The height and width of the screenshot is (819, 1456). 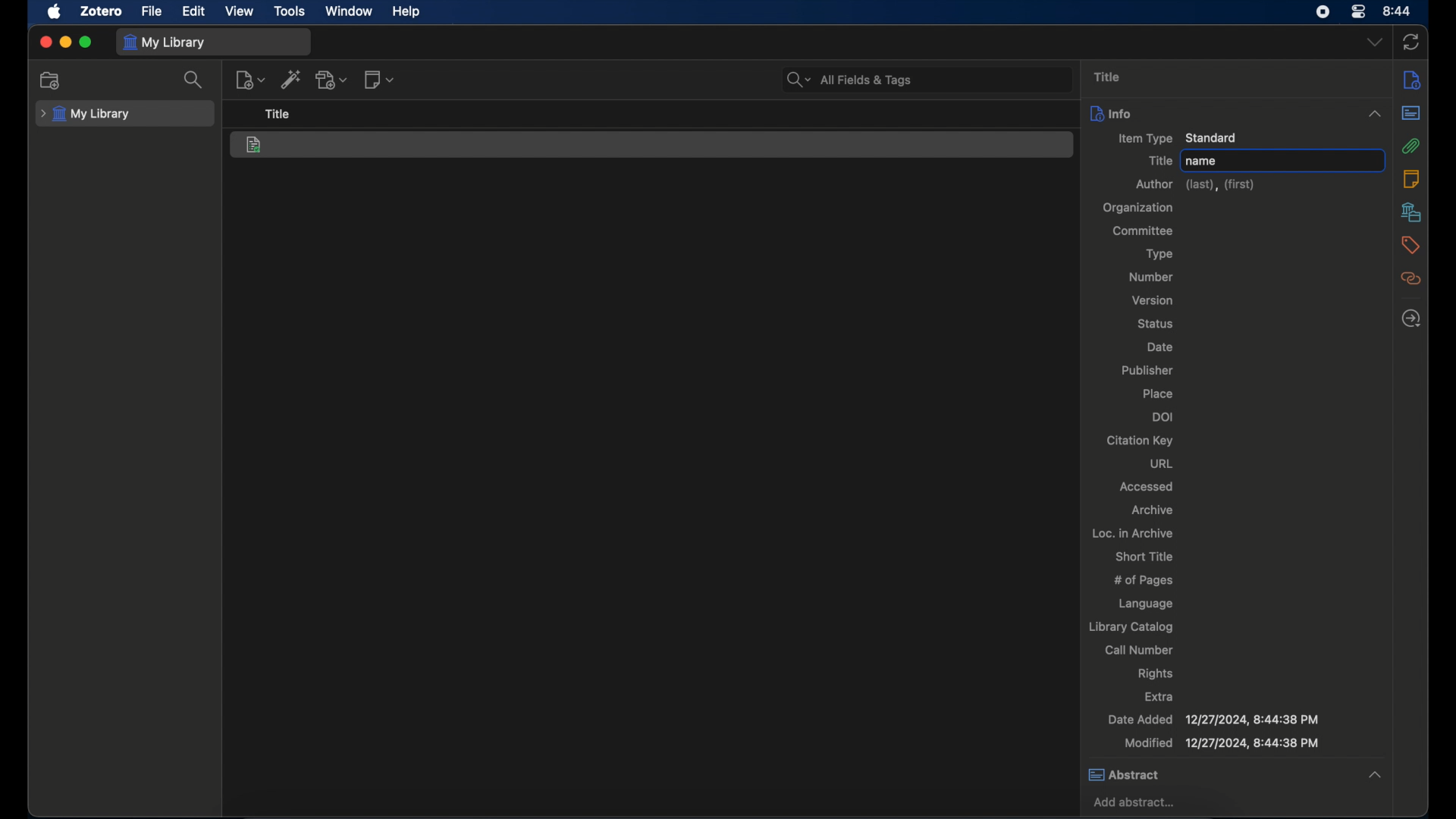 I want to click on abstract, so click(x=1411, y=114).